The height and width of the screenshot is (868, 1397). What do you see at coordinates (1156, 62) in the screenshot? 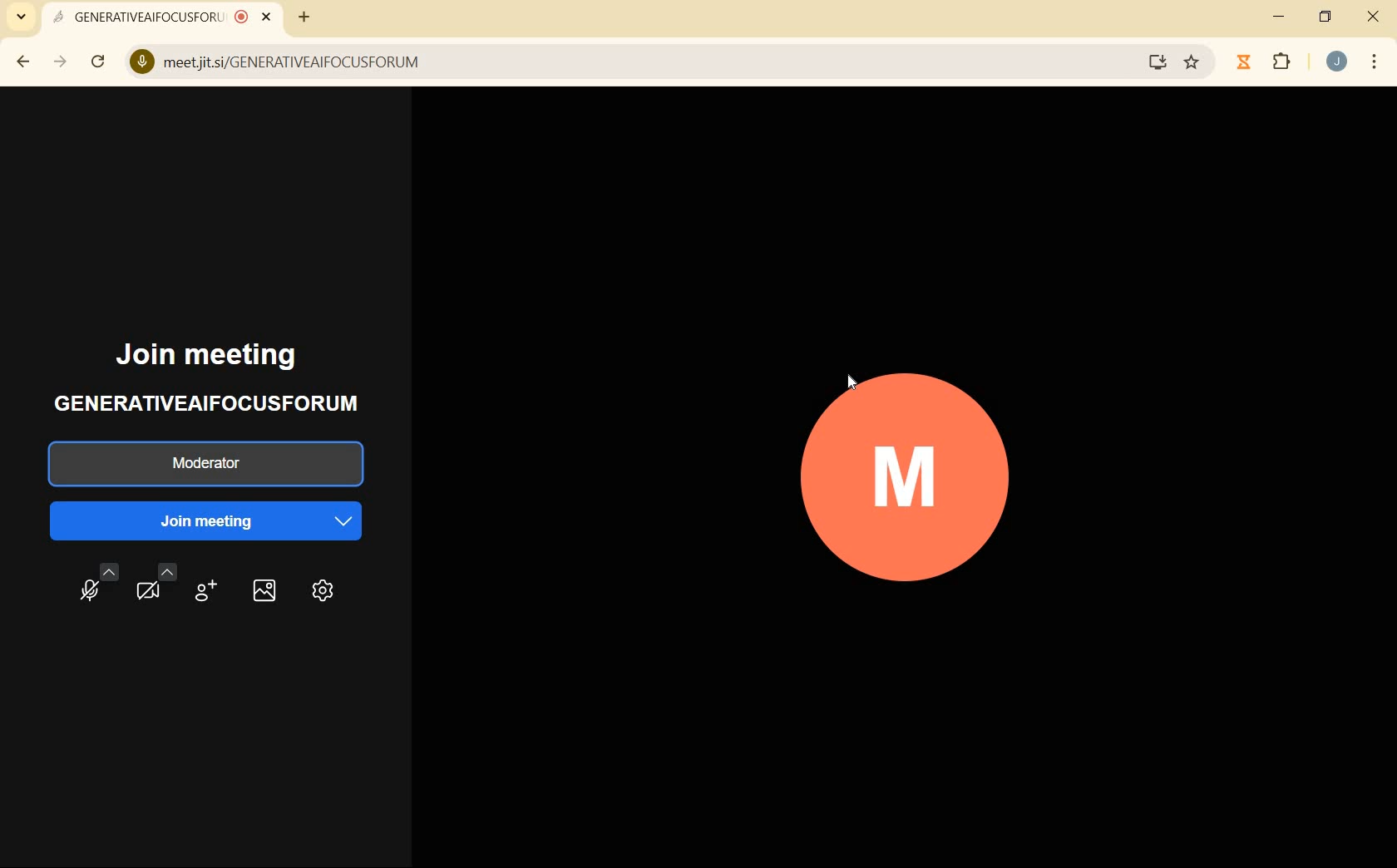
I see `Download` at bounding box center [1156, 62].